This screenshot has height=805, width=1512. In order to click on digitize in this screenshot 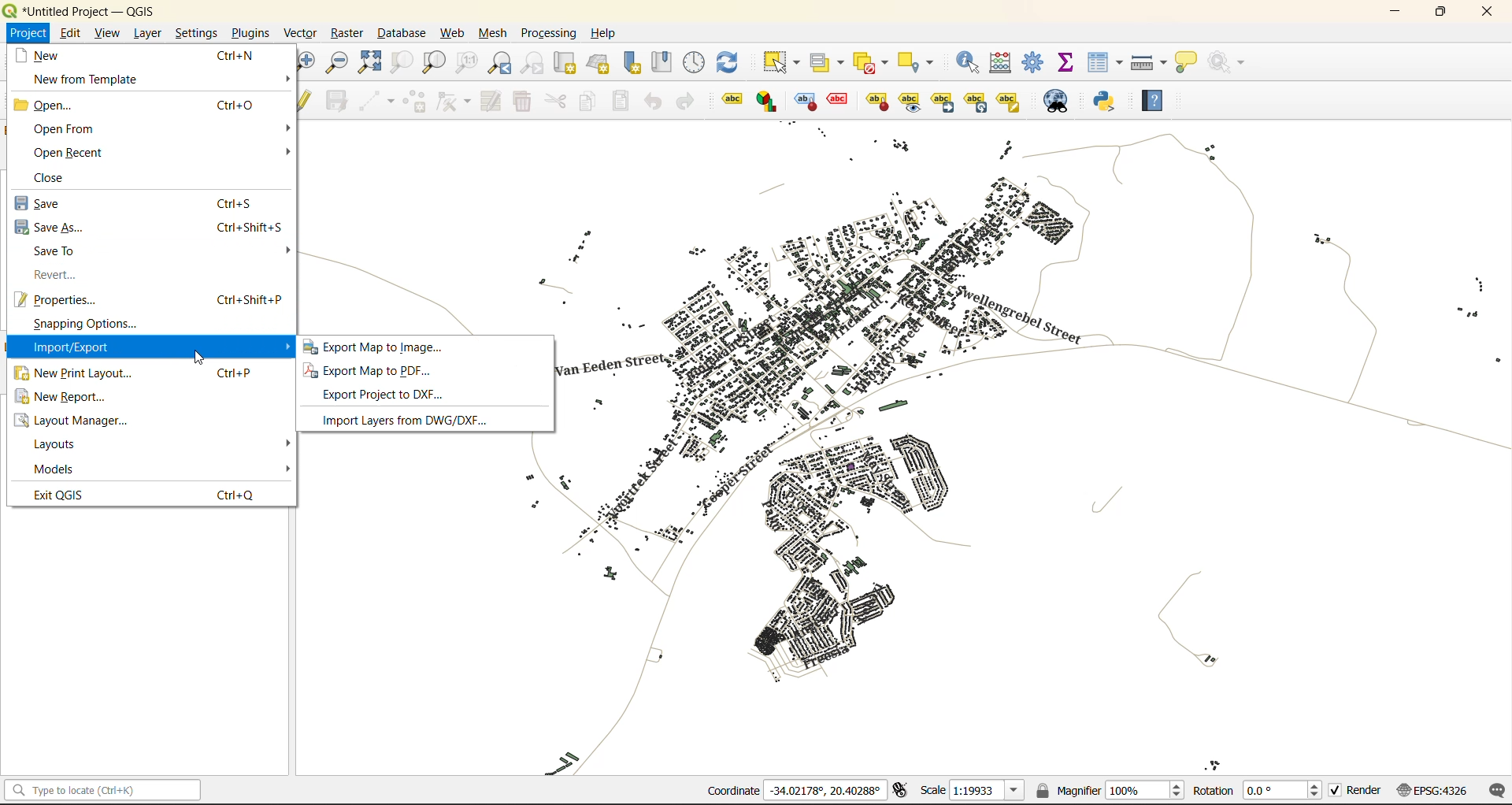, I will do `click(373, 100)`.